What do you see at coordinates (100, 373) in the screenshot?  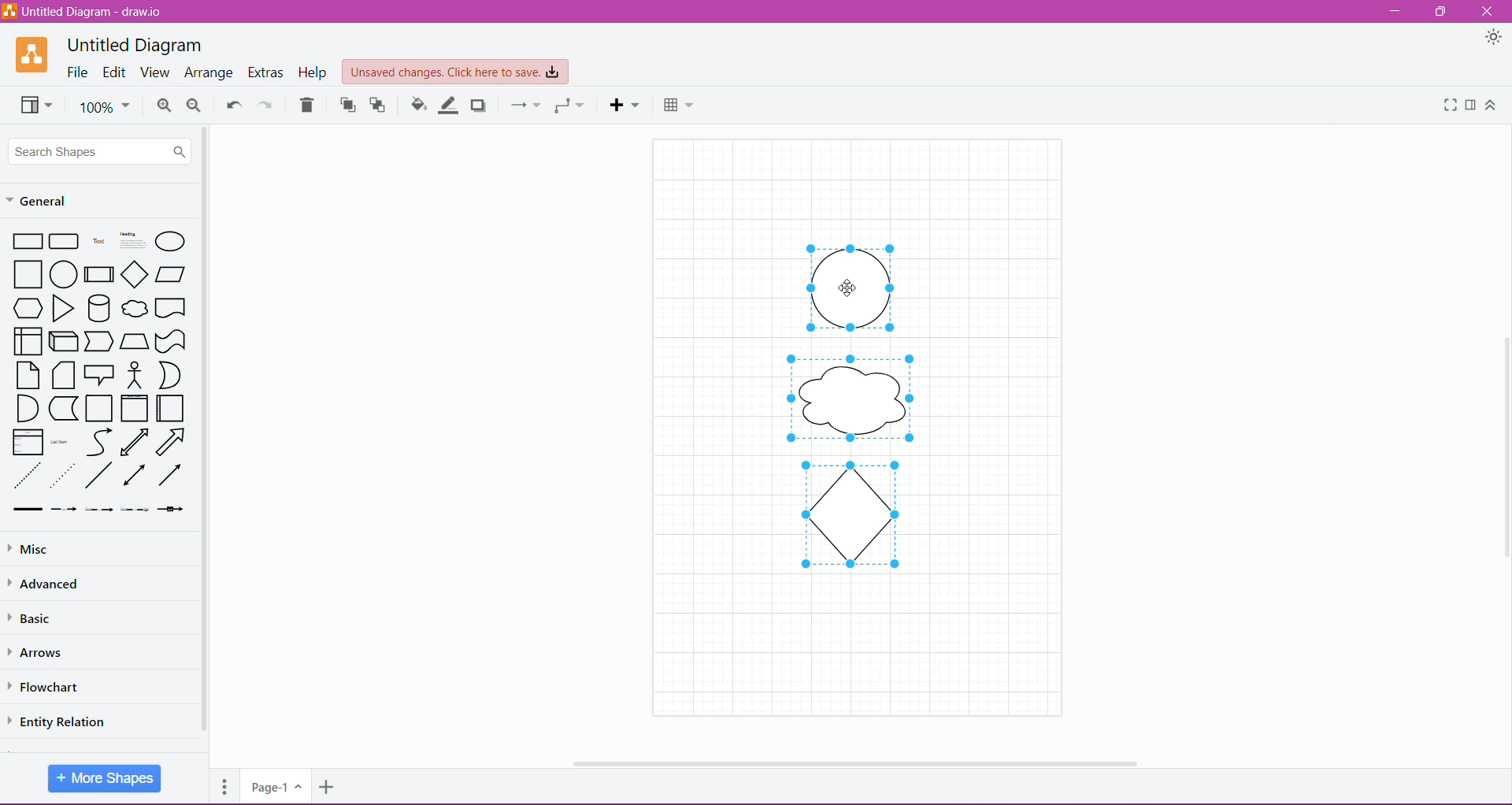 I see `Available shapes in General` at bounding box center [100, 373].